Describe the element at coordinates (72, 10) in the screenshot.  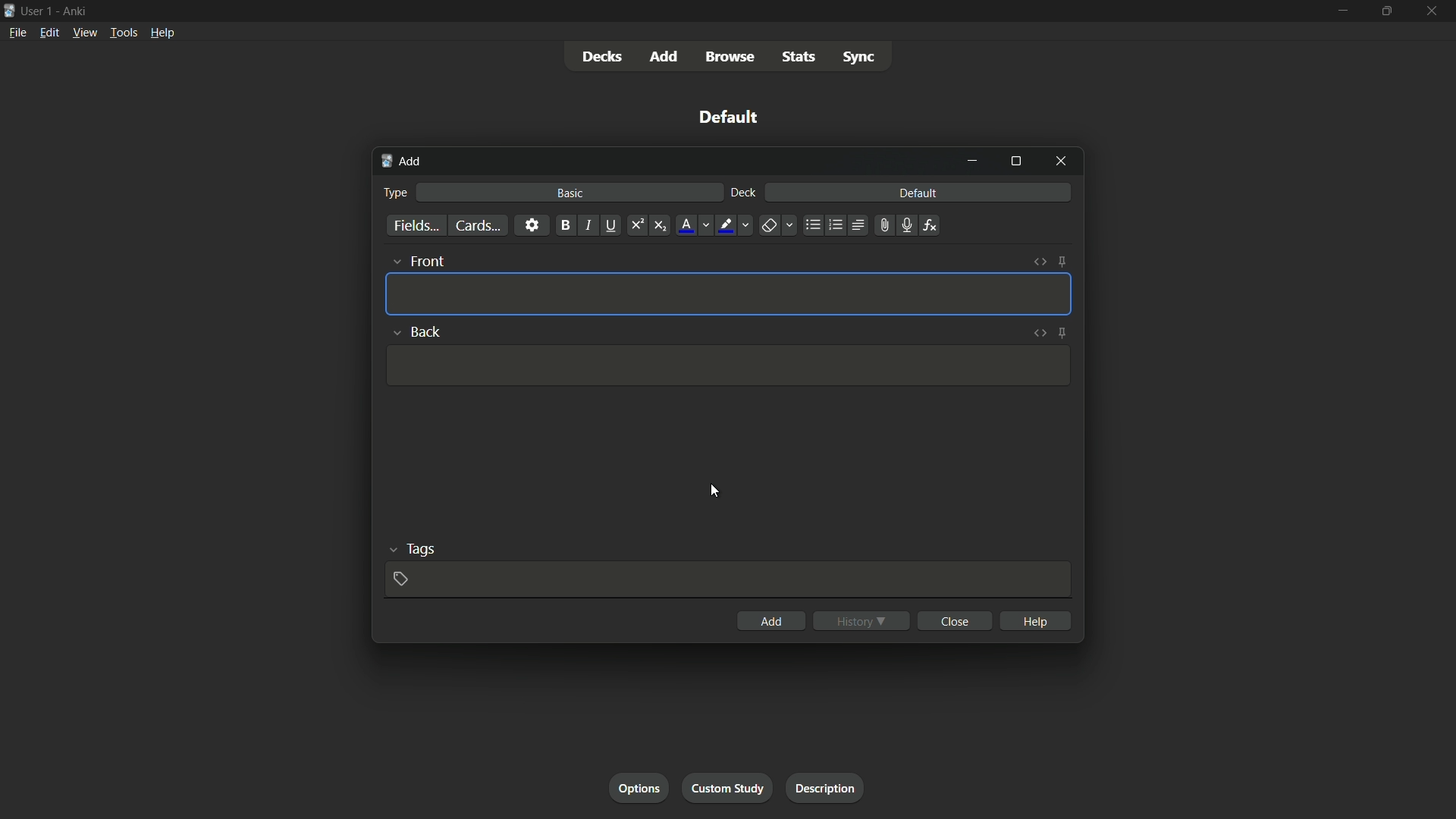
I see `Ankri` at that location.